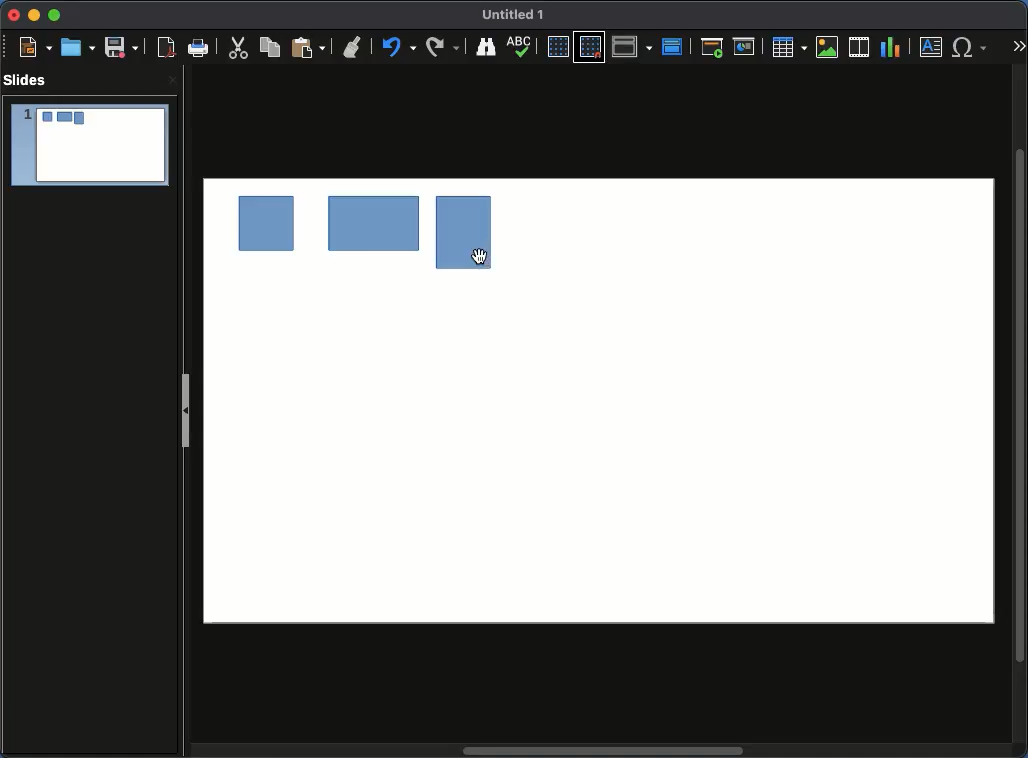  What do you see at coordinates (443, 47) in the screenshot?
I see `Finding` at bounding box center [443, 47].